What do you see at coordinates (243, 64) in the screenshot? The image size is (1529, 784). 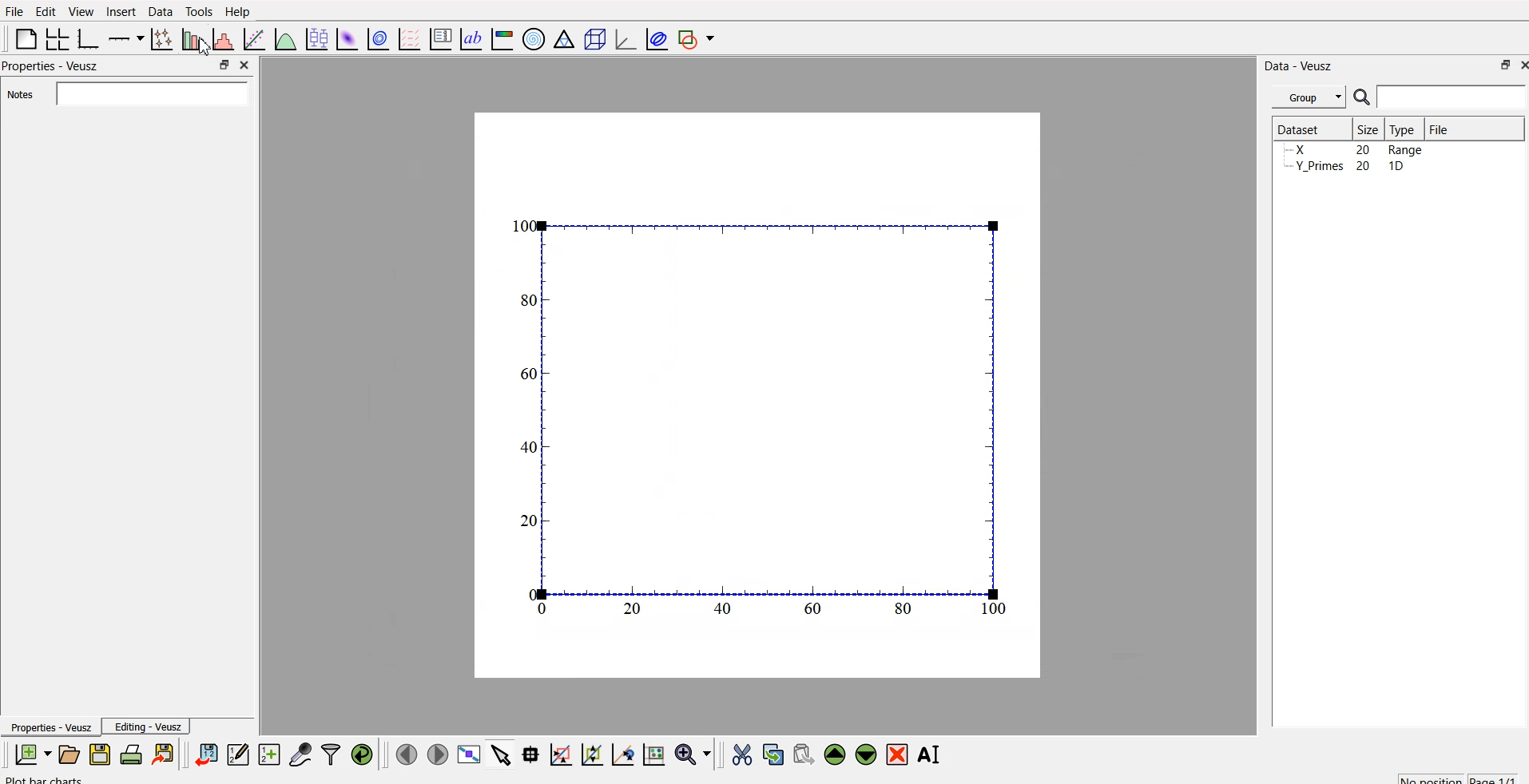 I see `close` at bounding box center [243, 64].